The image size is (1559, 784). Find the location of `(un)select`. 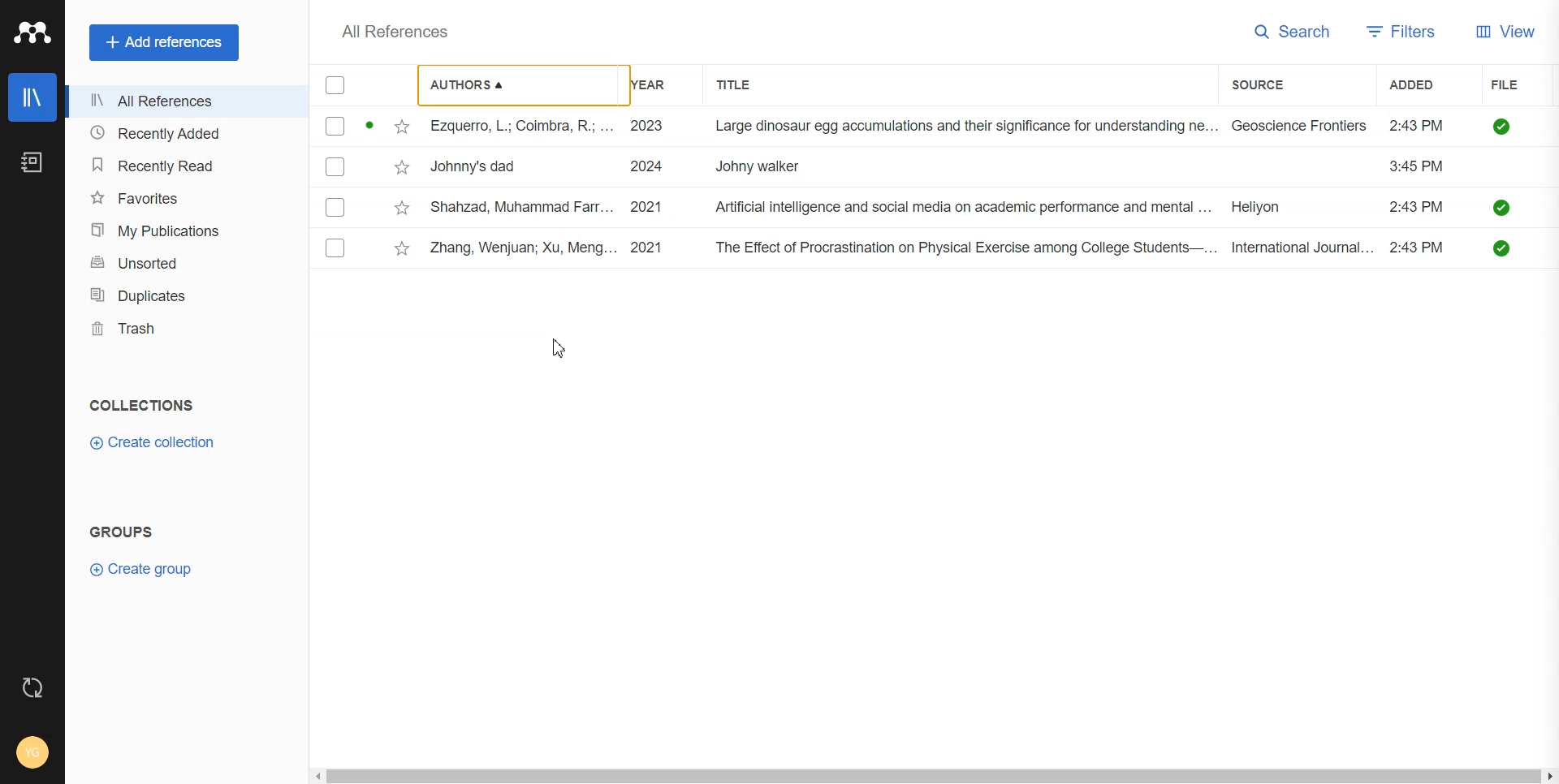

(un)select is located at coordinates (335, 249).